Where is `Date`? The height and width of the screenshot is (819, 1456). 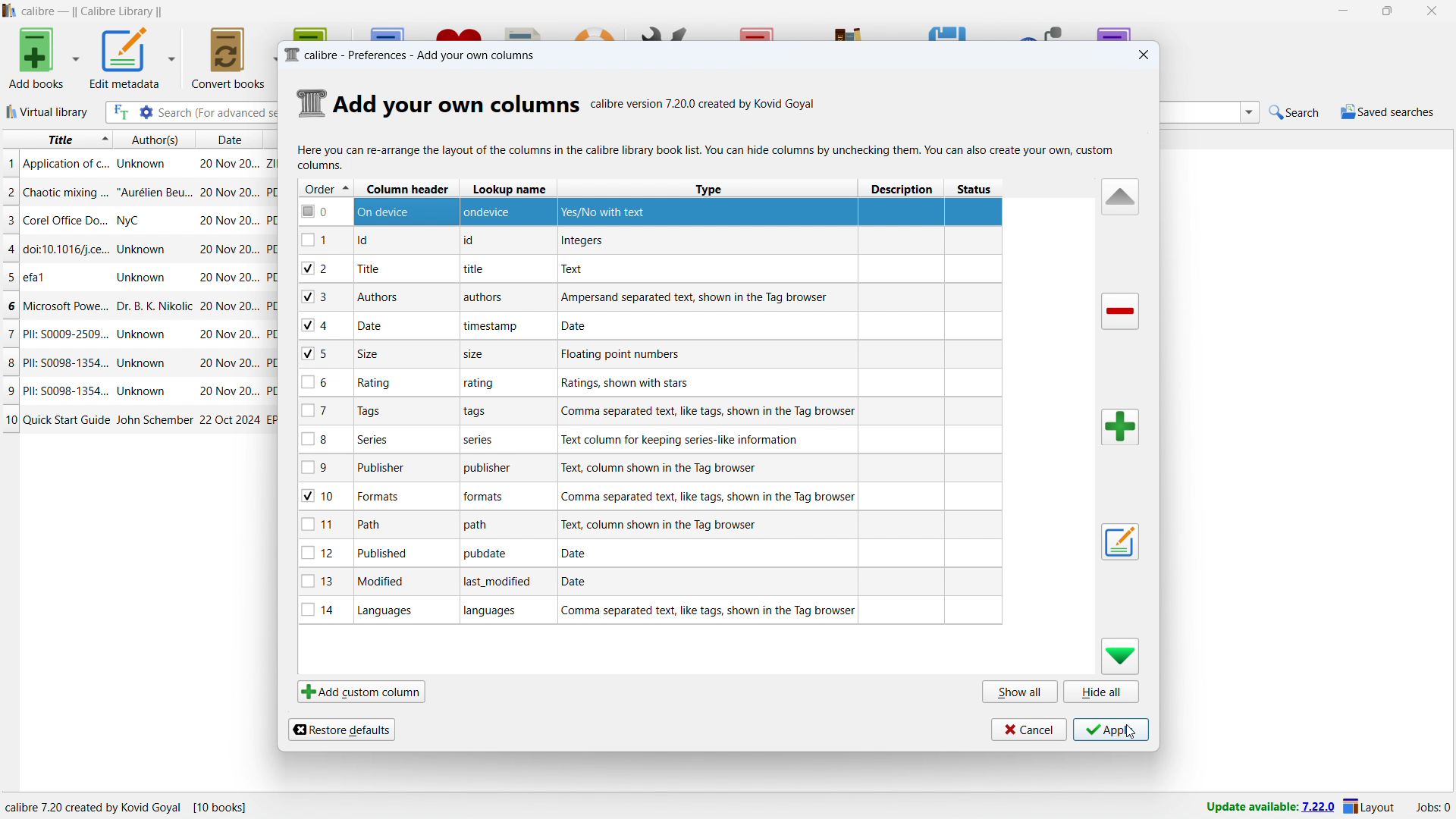 Date is located at coordinates (578, 554).